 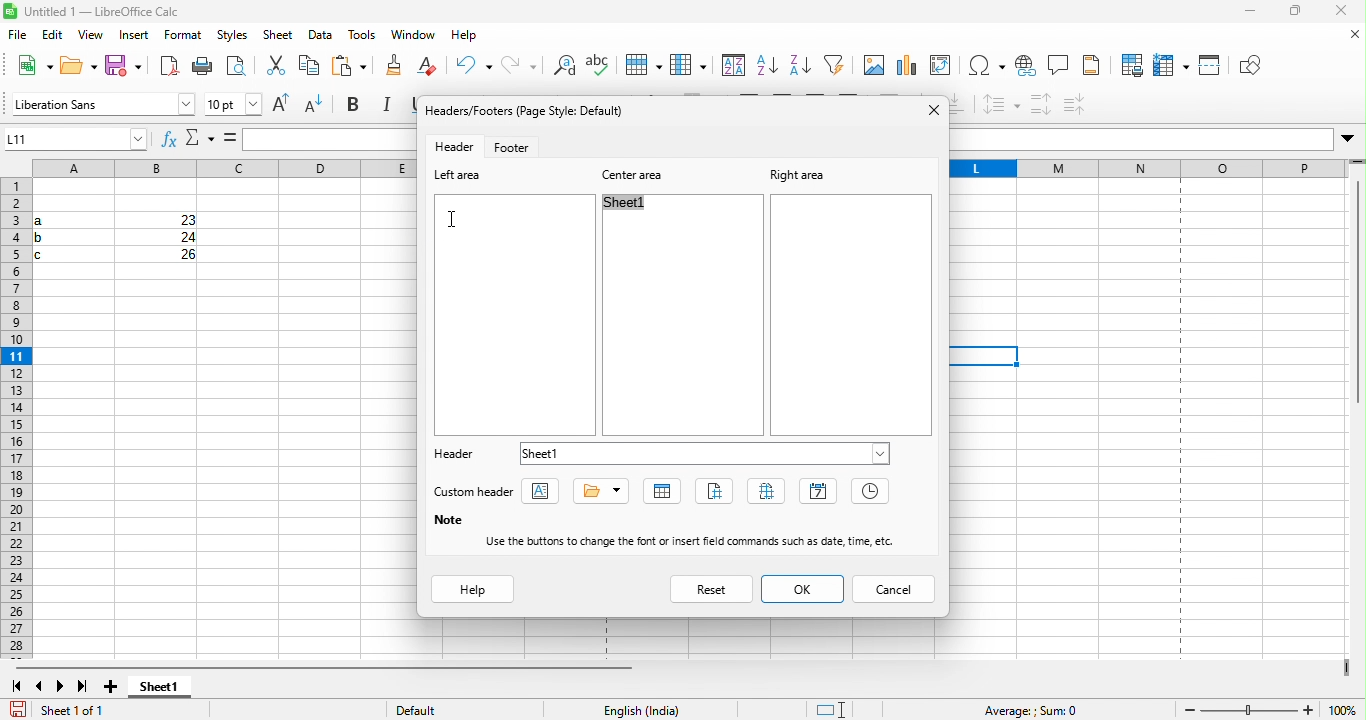 I want to click on zoom, so click(x=1252, y=707).